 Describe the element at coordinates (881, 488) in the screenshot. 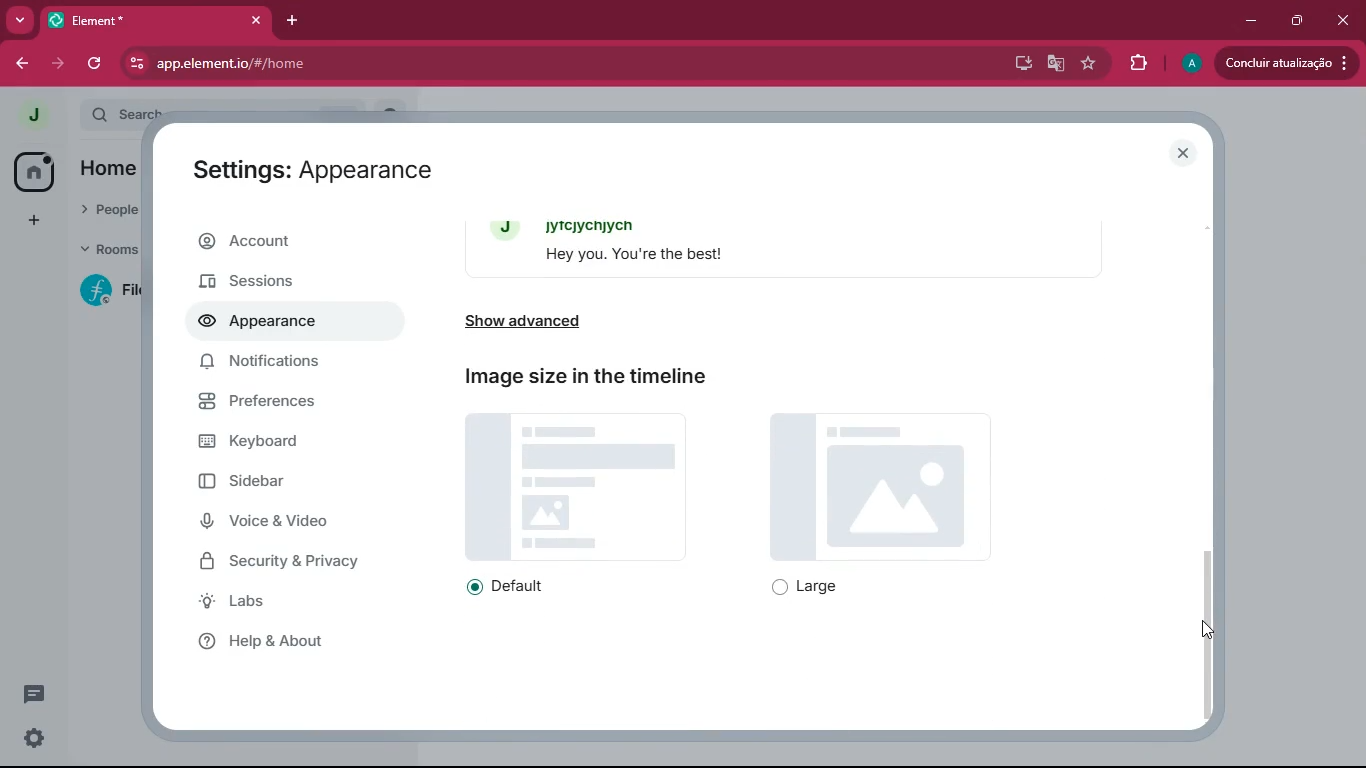

I see `image` at that location.